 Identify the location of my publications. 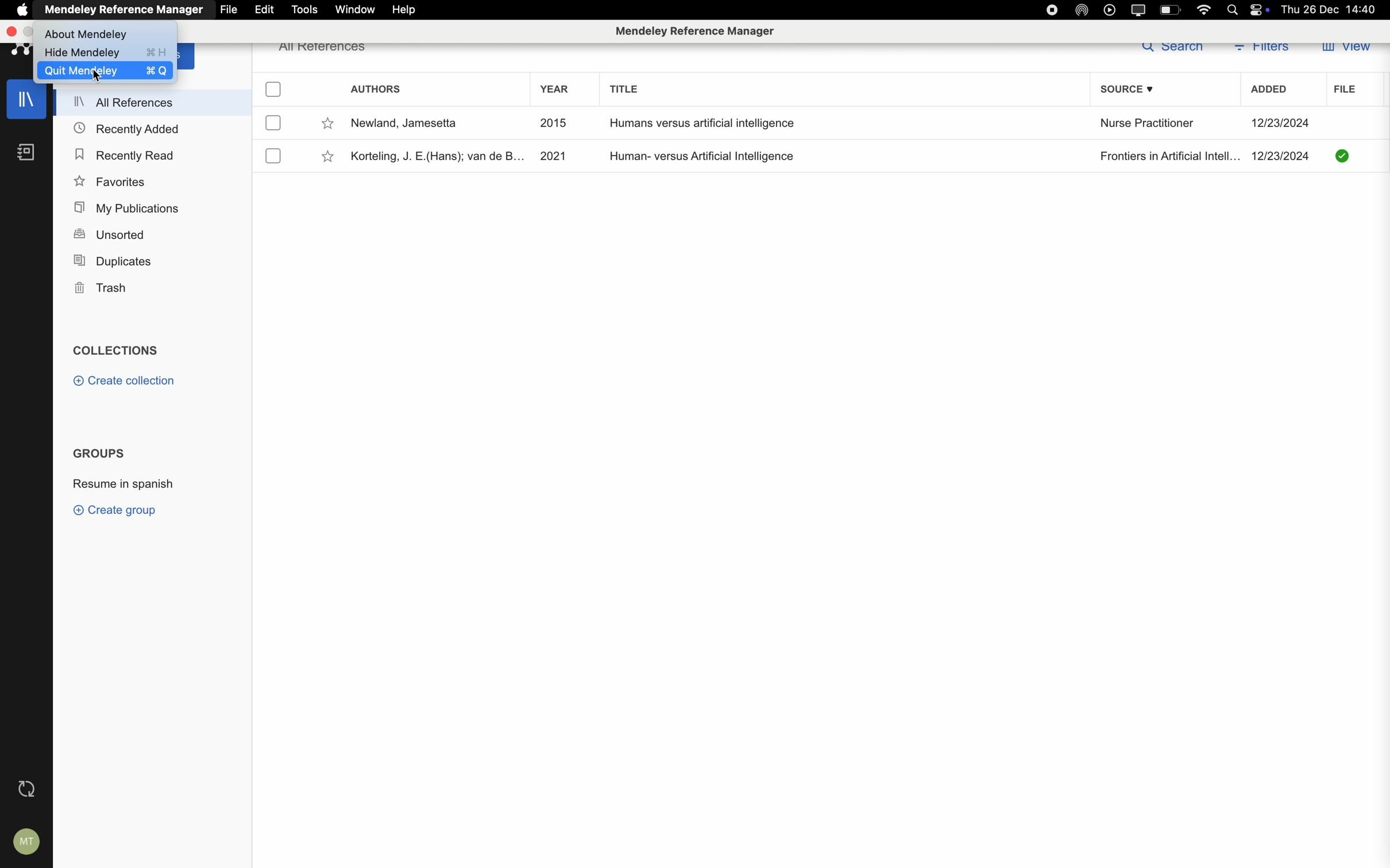
(129, 208).